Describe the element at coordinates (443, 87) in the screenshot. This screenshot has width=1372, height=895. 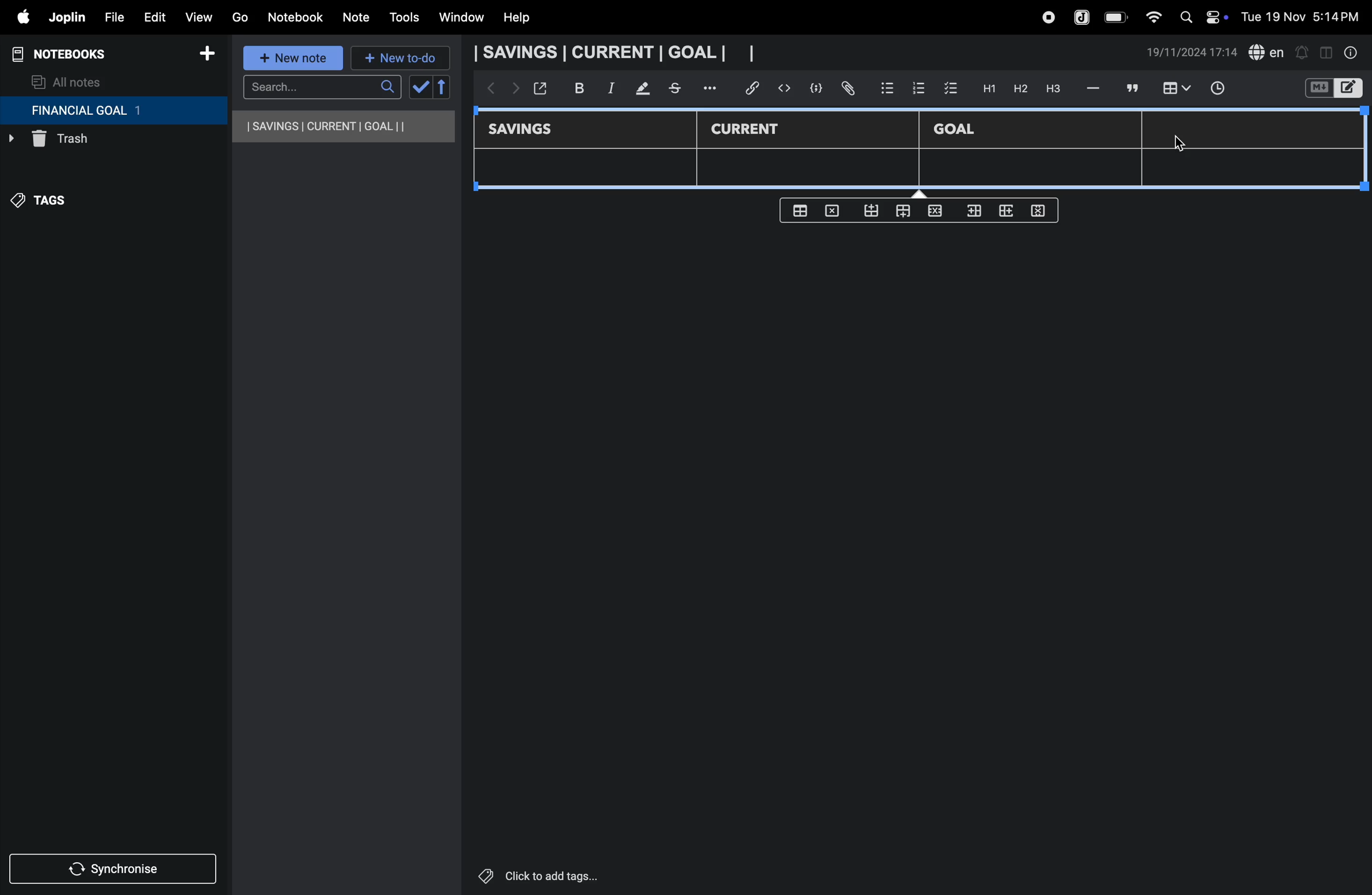
I see `reverse sort order` at that location.